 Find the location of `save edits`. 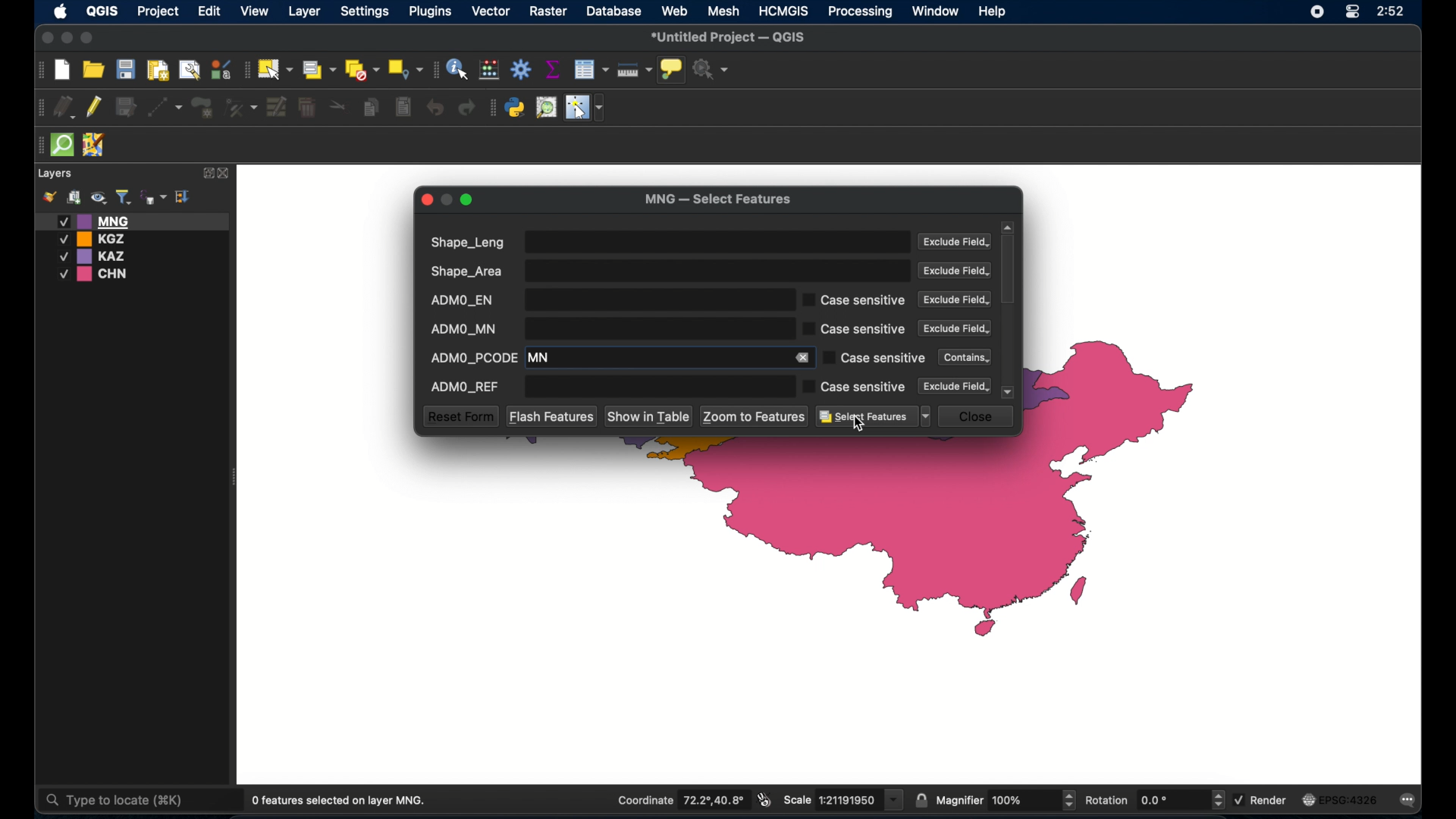

save edits is located at coordinates (128, 108).